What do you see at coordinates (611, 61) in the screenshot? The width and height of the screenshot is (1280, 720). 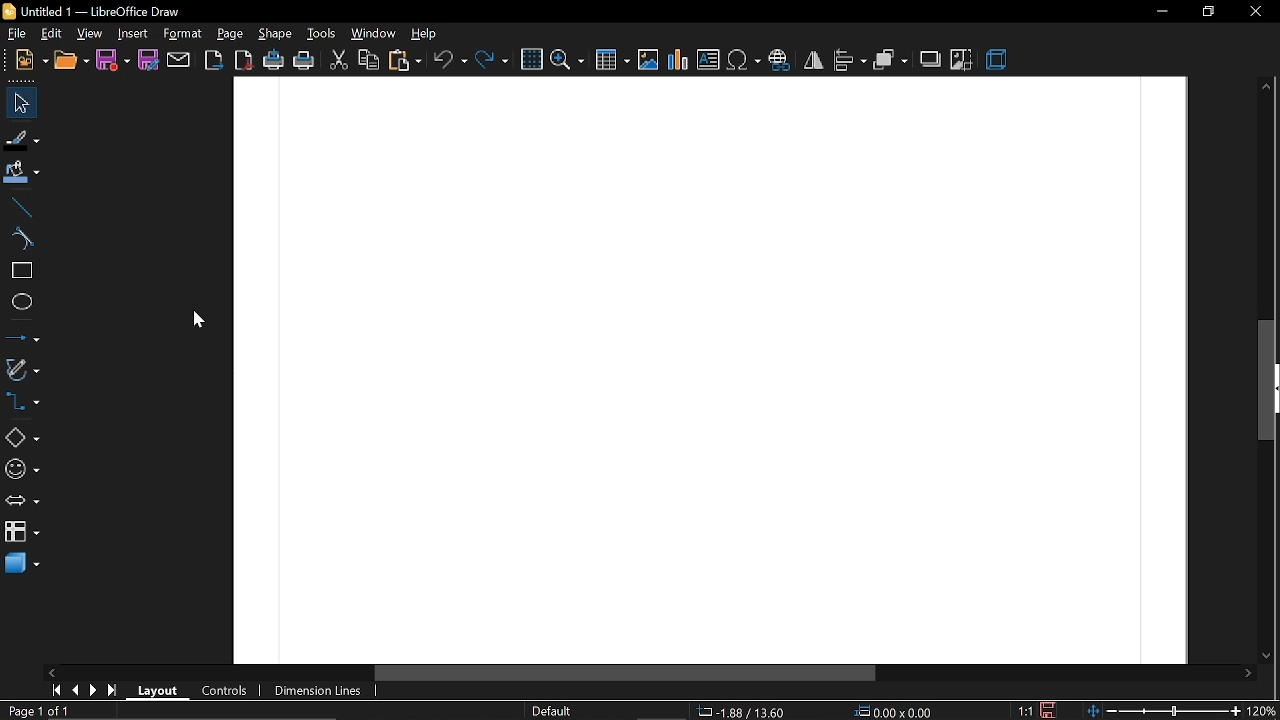 I see `insert table` at bounding box center [611, 61].